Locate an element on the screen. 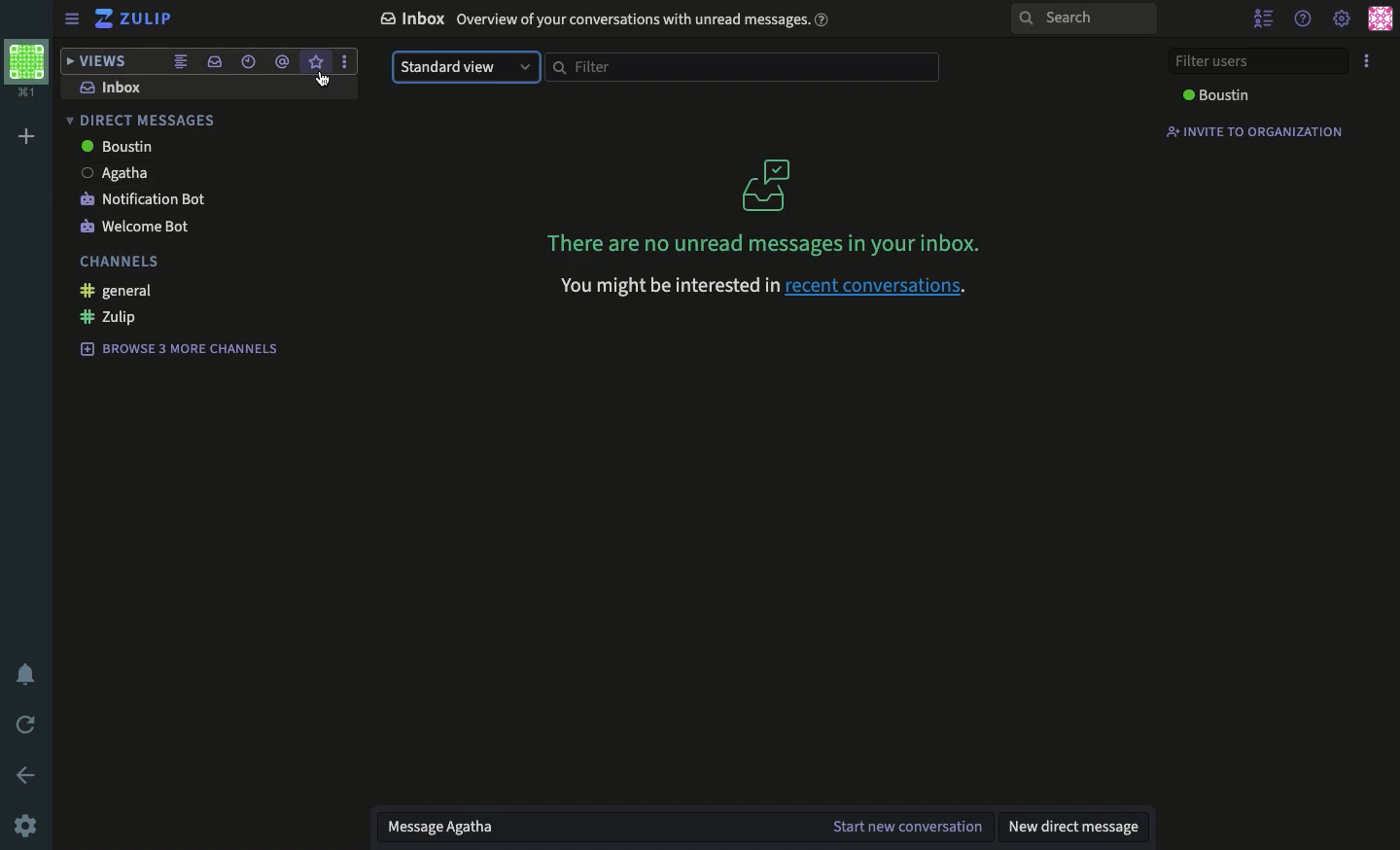 The image size is (1400, 850). filter users is located at coordinates (1261, 61).